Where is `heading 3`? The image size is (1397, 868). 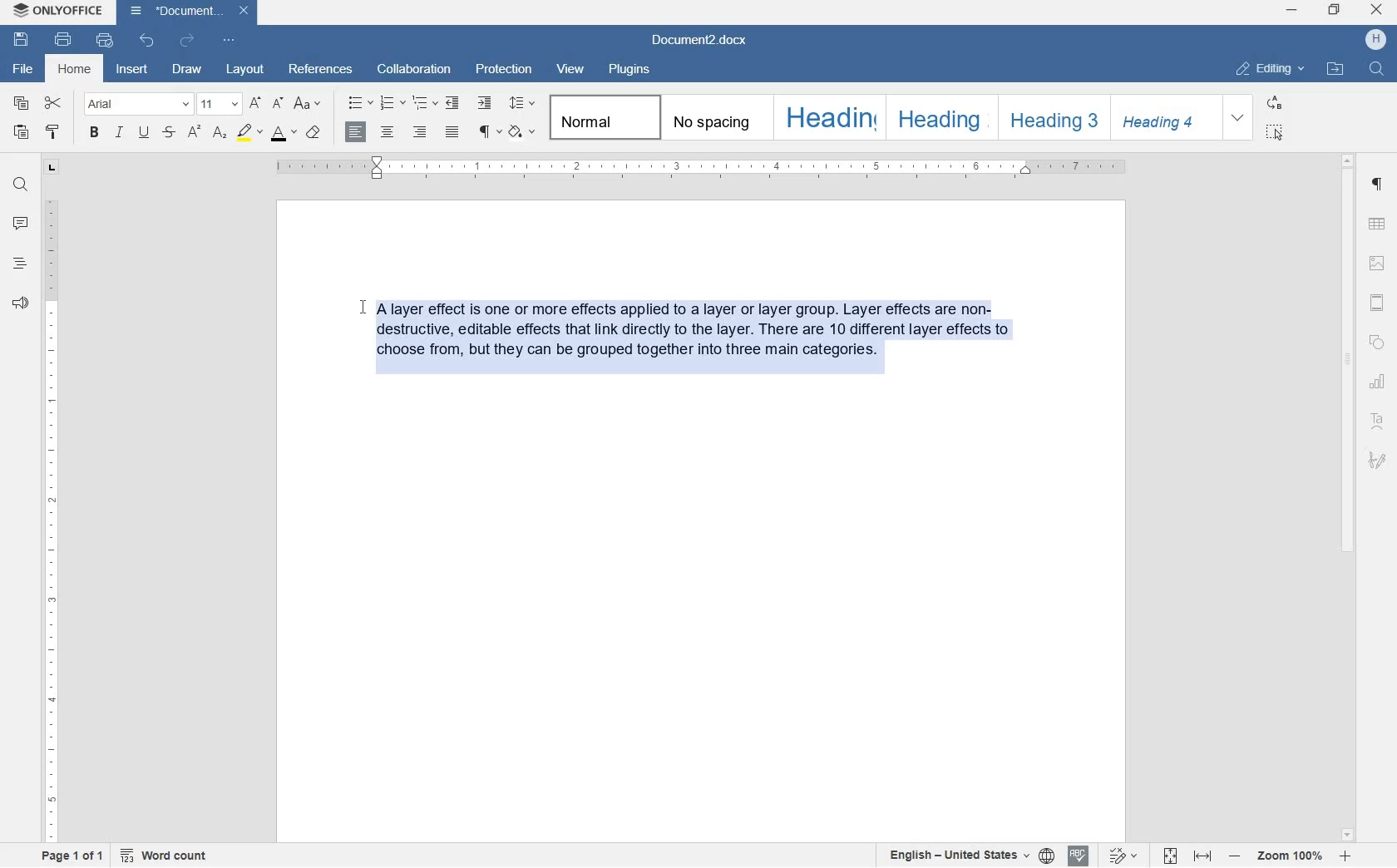
heading 3 is located at coordinates (1054, 118).